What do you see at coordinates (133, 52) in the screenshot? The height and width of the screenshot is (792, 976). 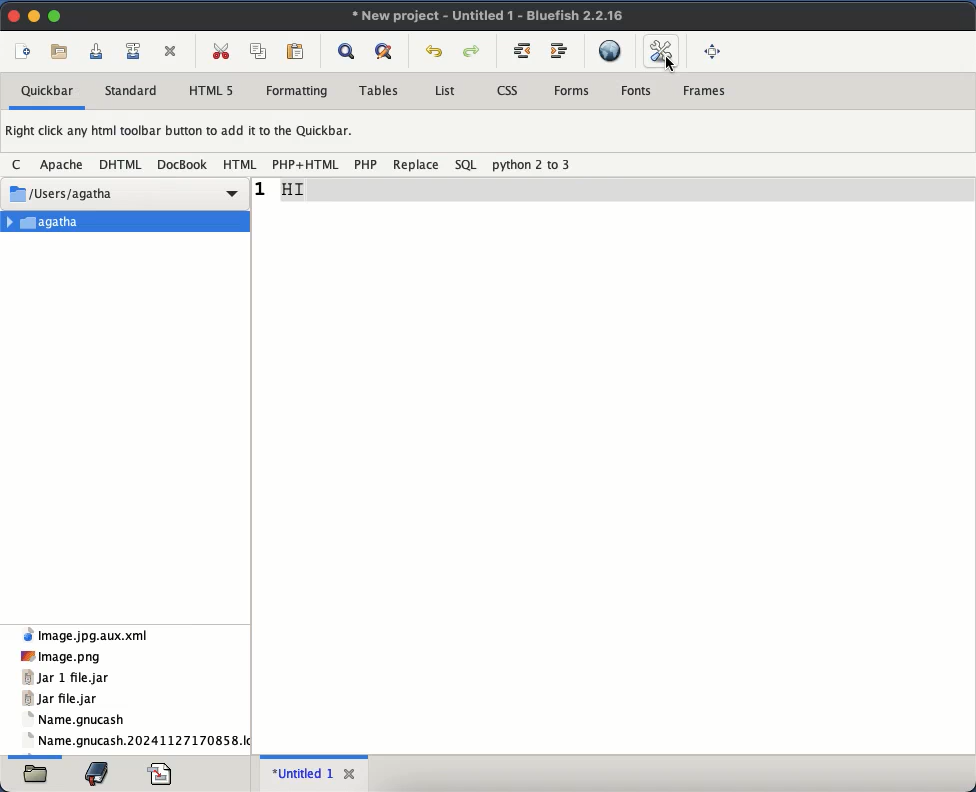 I see `save file as` at bounding box center [133, 52].